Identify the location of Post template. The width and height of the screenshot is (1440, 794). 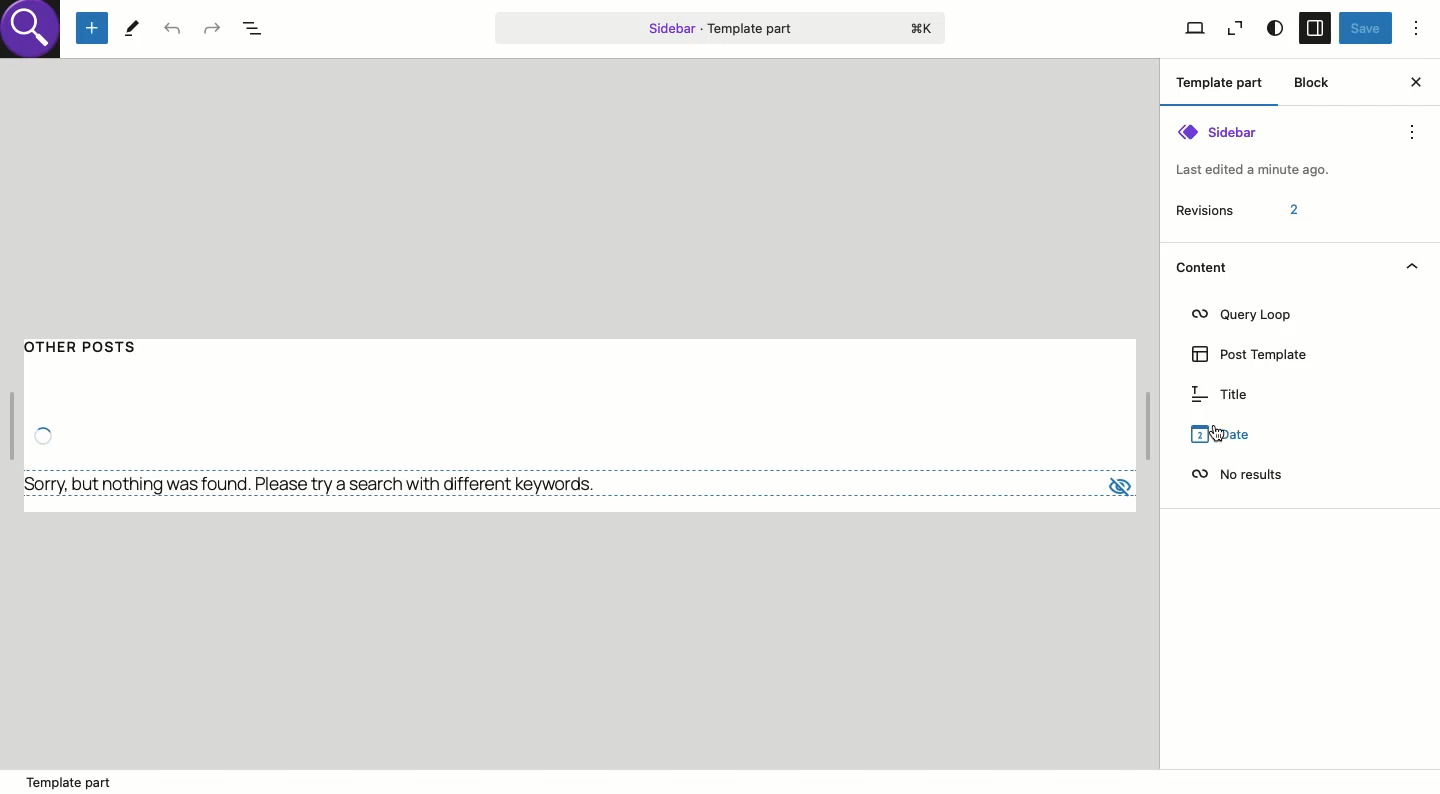
(1254, 355).